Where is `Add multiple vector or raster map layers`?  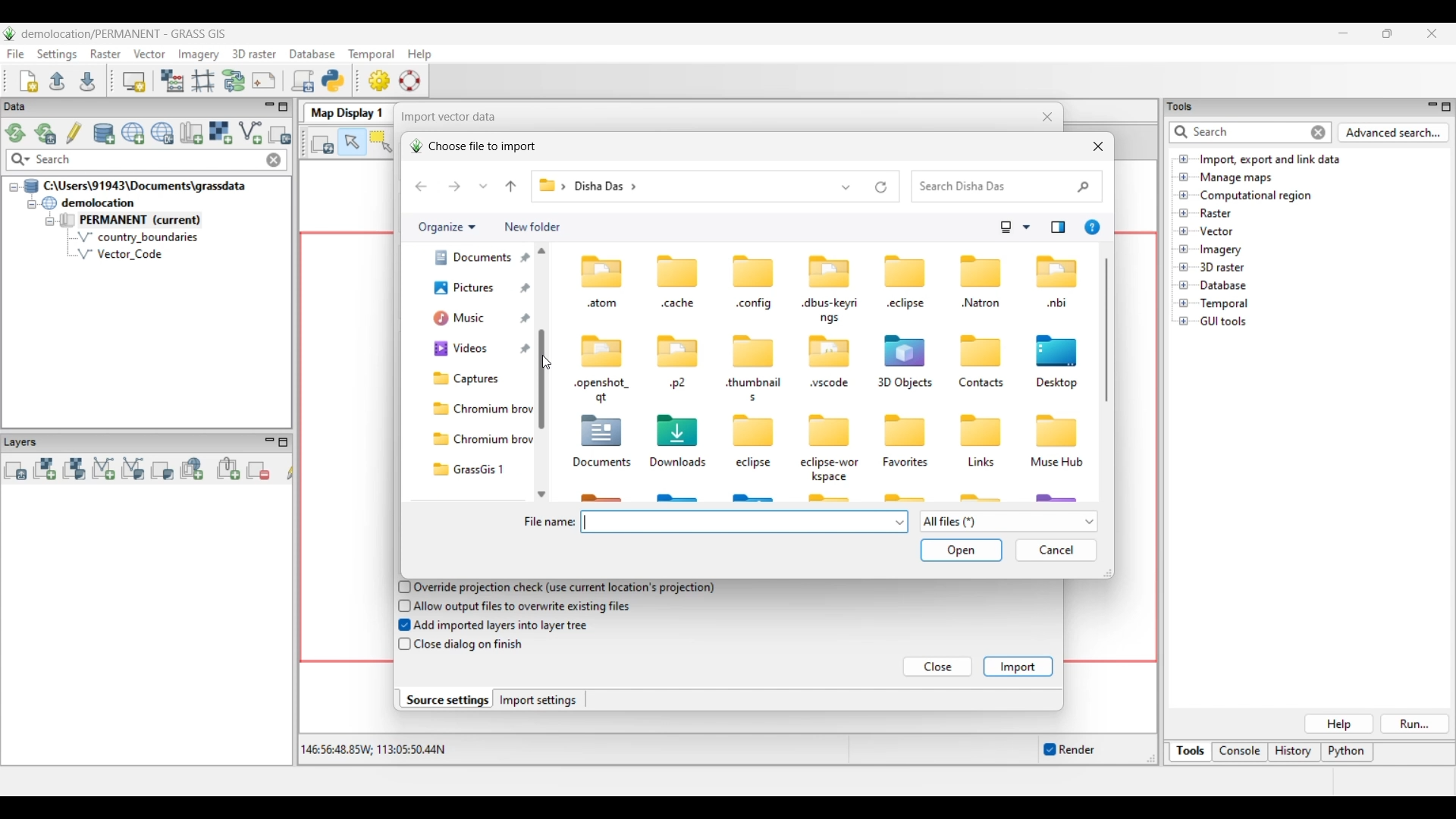 Add multiple vector or raster map layers is located at coordinates (15, 470).